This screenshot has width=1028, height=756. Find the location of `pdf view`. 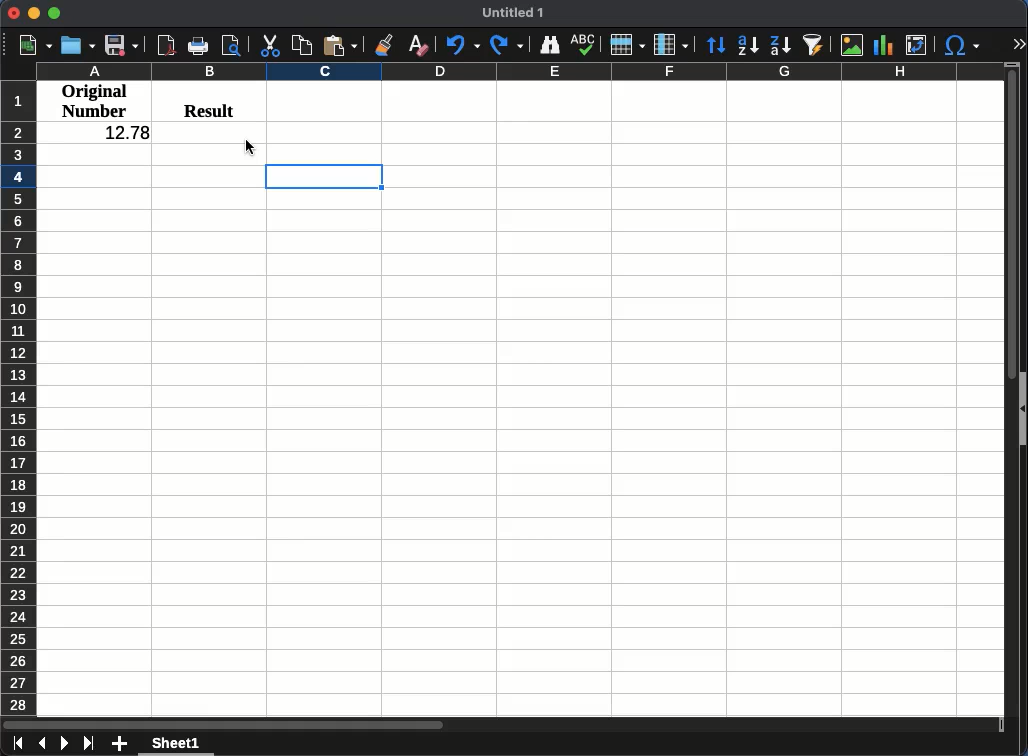

pdf view is located at coordinates (166, 44).